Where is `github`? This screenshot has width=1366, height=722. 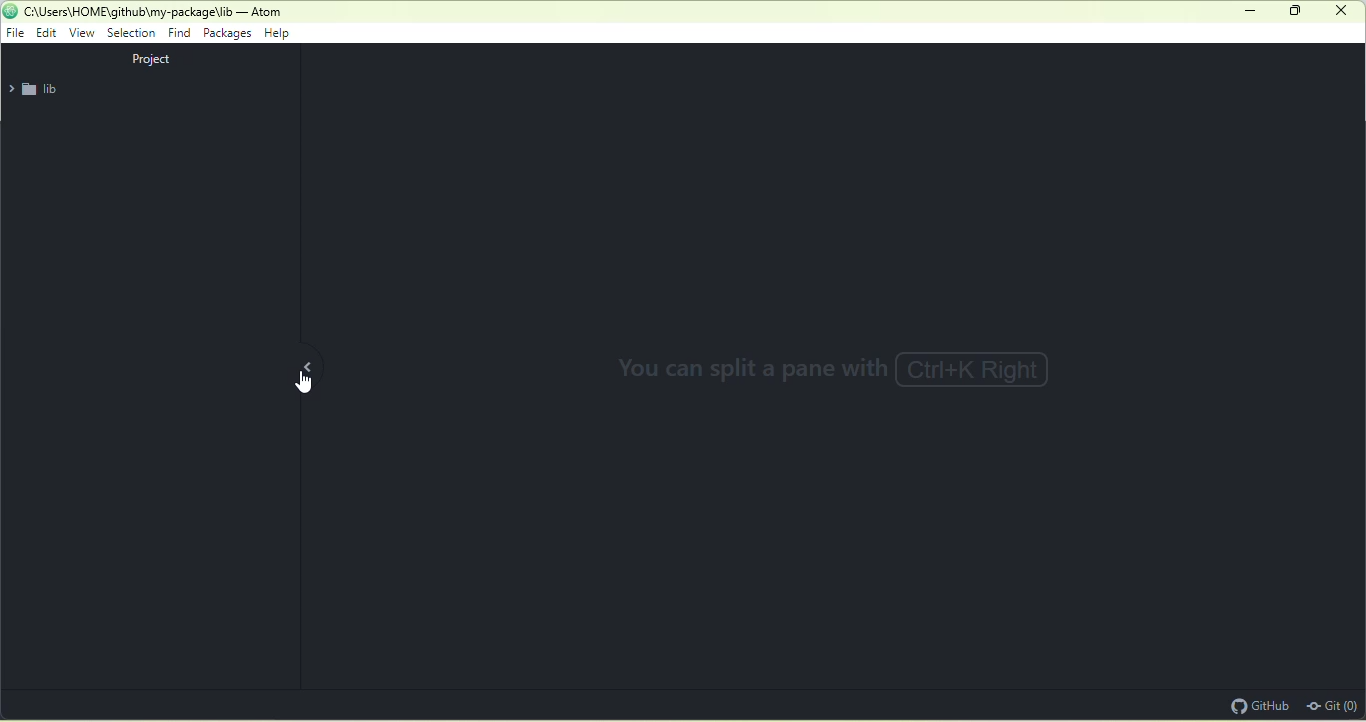
github is located at coordinates (1257, 704).